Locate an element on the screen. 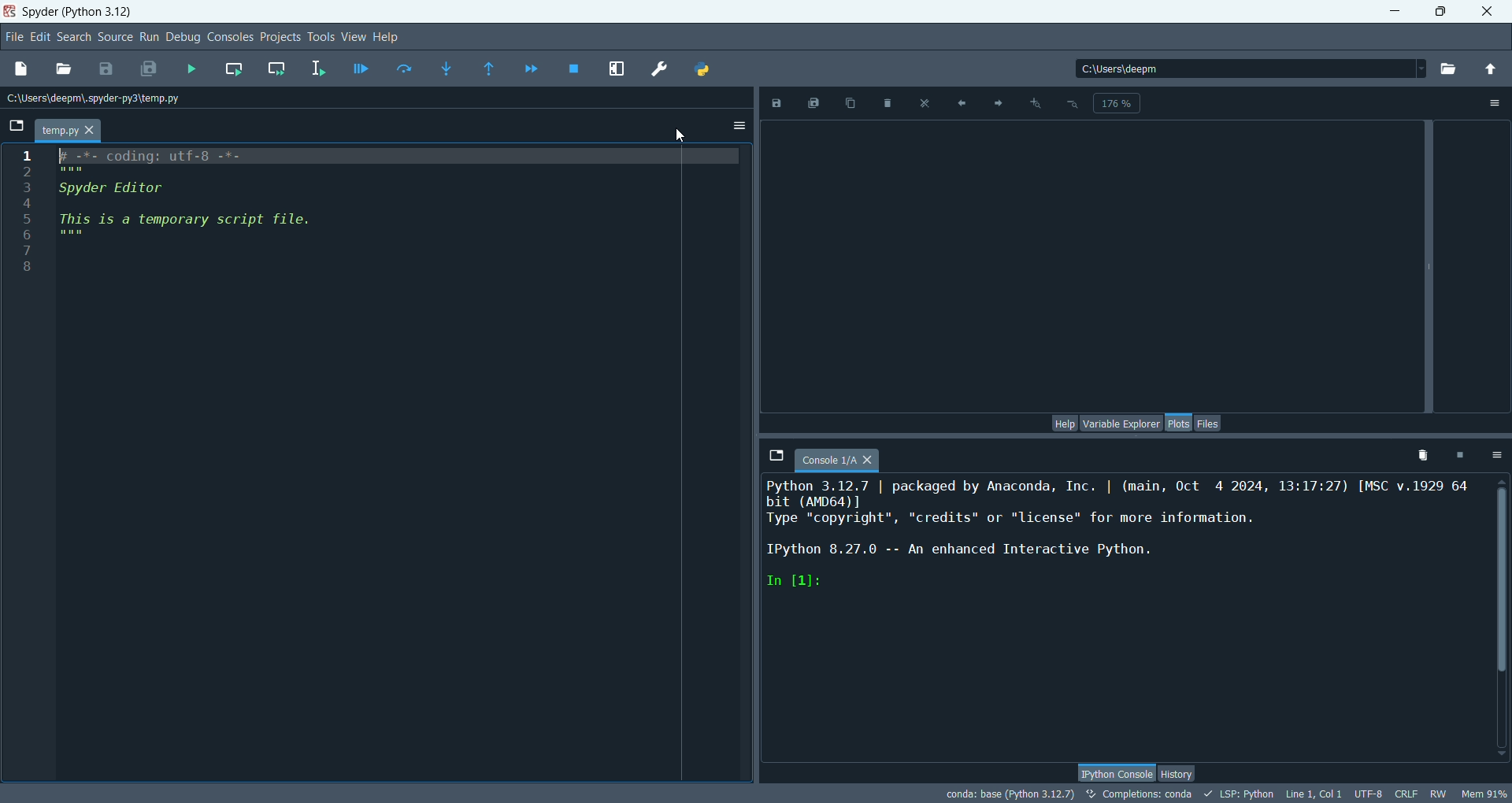 The image size is (1512, 803). projects is located at coordinates (283, 35).